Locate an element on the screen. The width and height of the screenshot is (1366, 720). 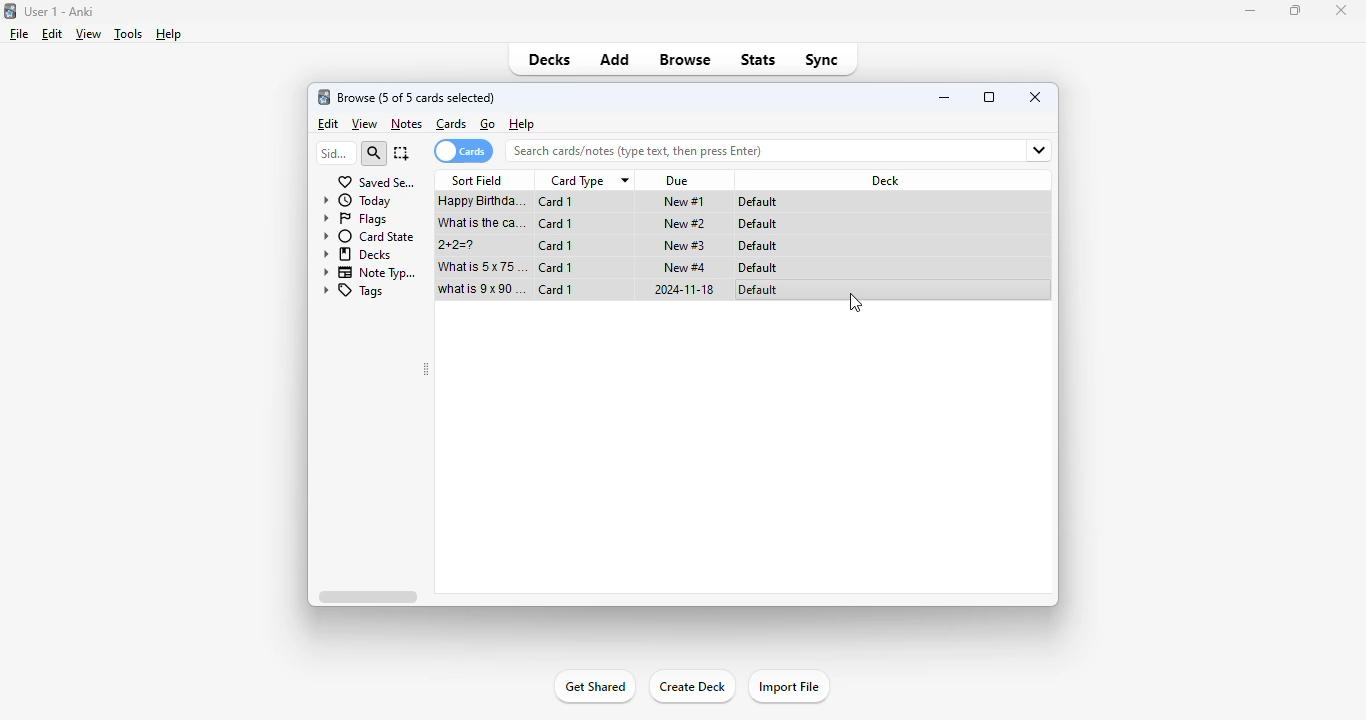
maximize is located at coordinates (989, 96).